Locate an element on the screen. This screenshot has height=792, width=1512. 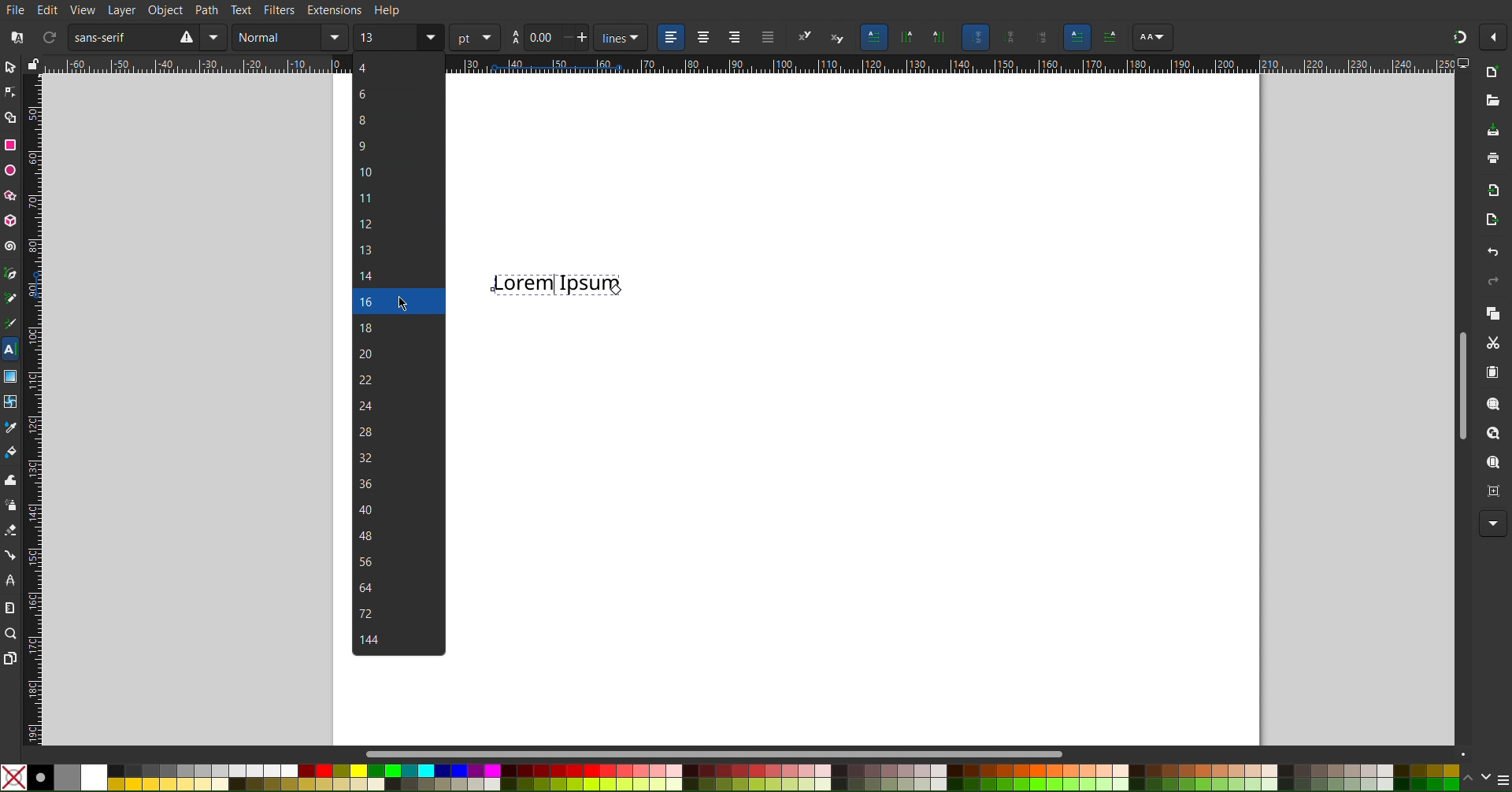
Zoom Tool is located at coordinates (10, 633).